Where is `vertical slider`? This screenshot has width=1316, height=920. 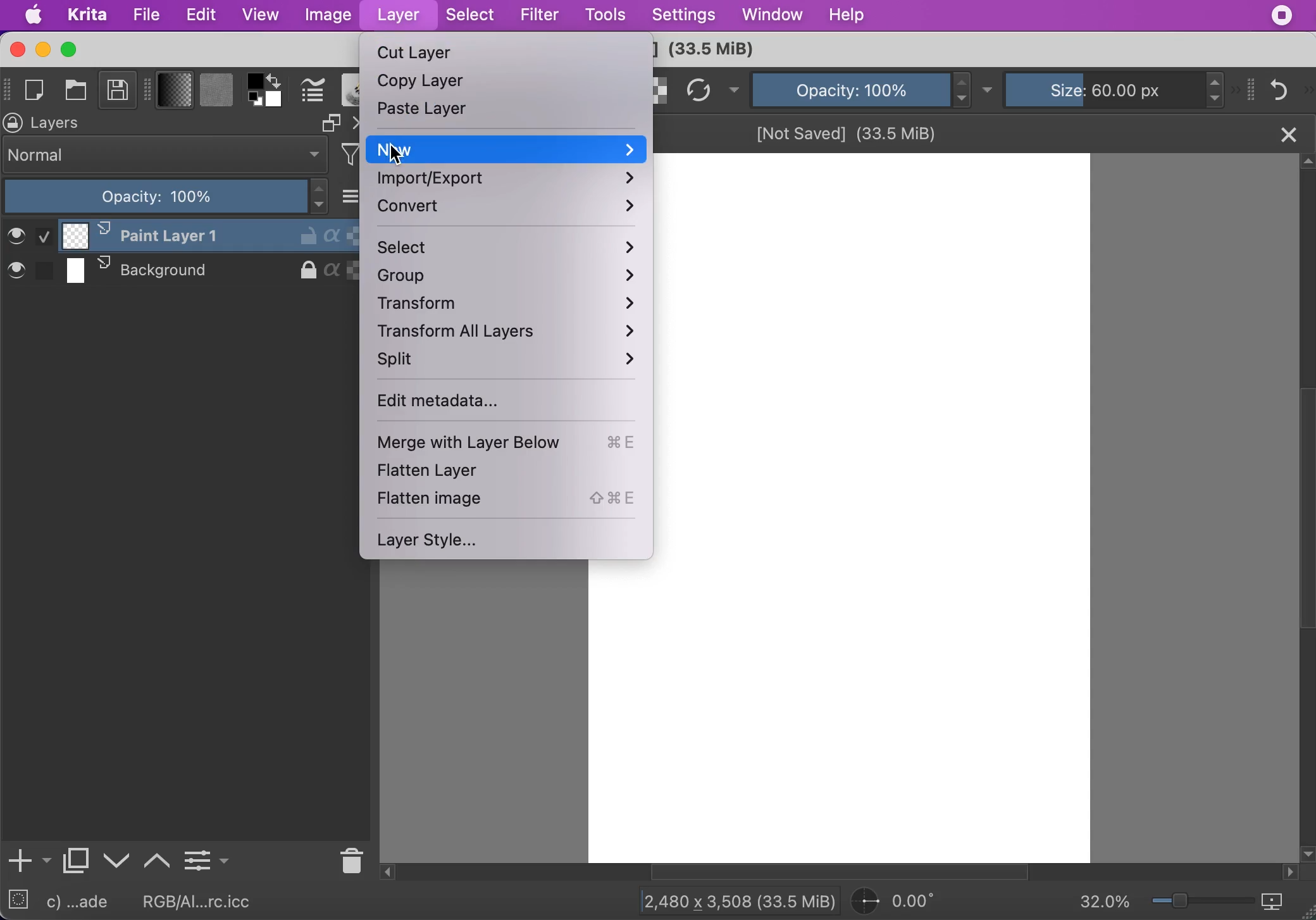 vertical slider is located at coordinates (1305, 451).